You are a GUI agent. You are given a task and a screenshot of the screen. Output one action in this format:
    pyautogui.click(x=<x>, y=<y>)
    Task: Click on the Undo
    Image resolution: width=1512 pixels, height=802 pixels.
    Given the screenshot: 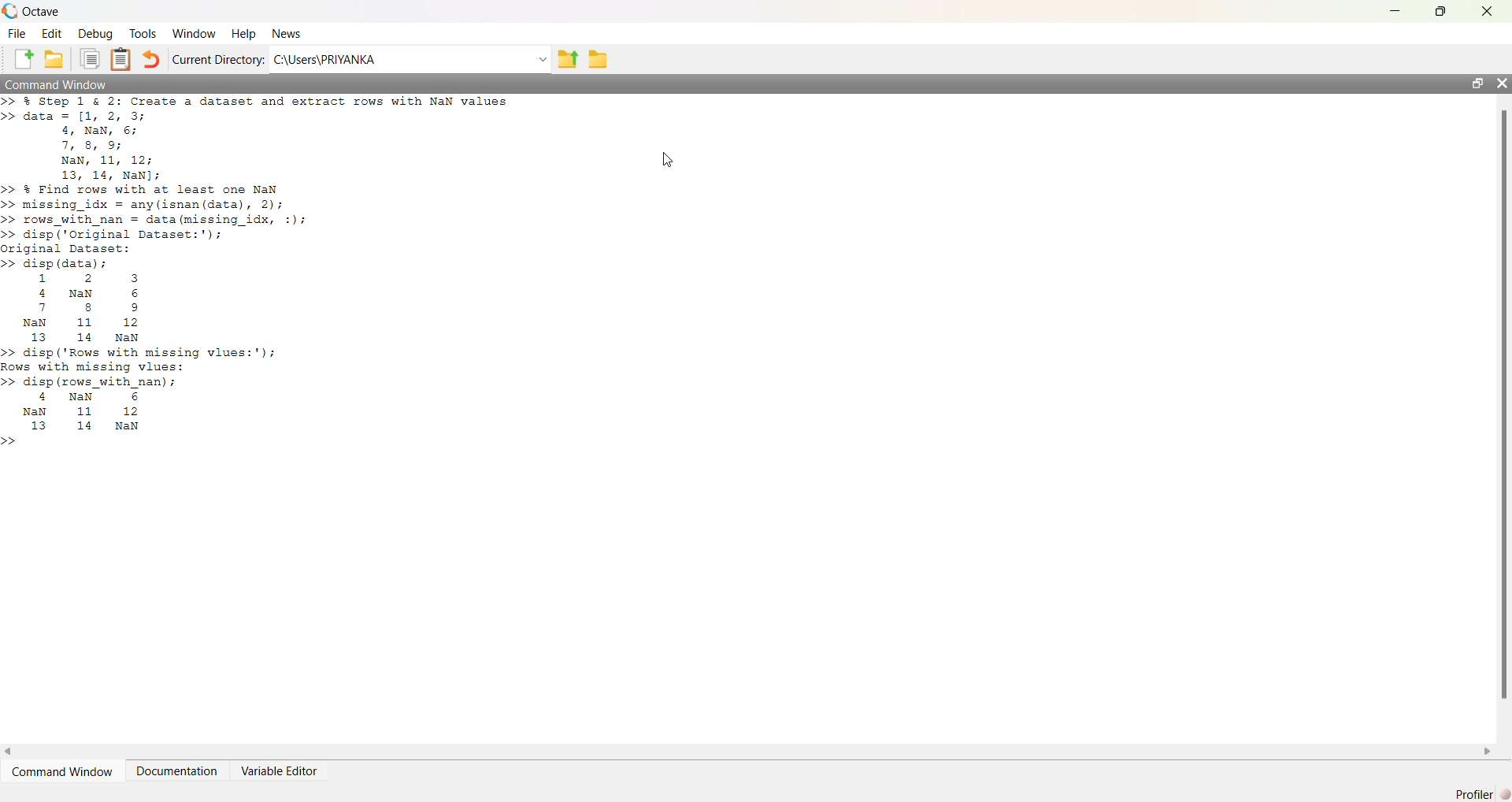 What is the action you would take?
    pyautogui.click(x=150, y=59)
    